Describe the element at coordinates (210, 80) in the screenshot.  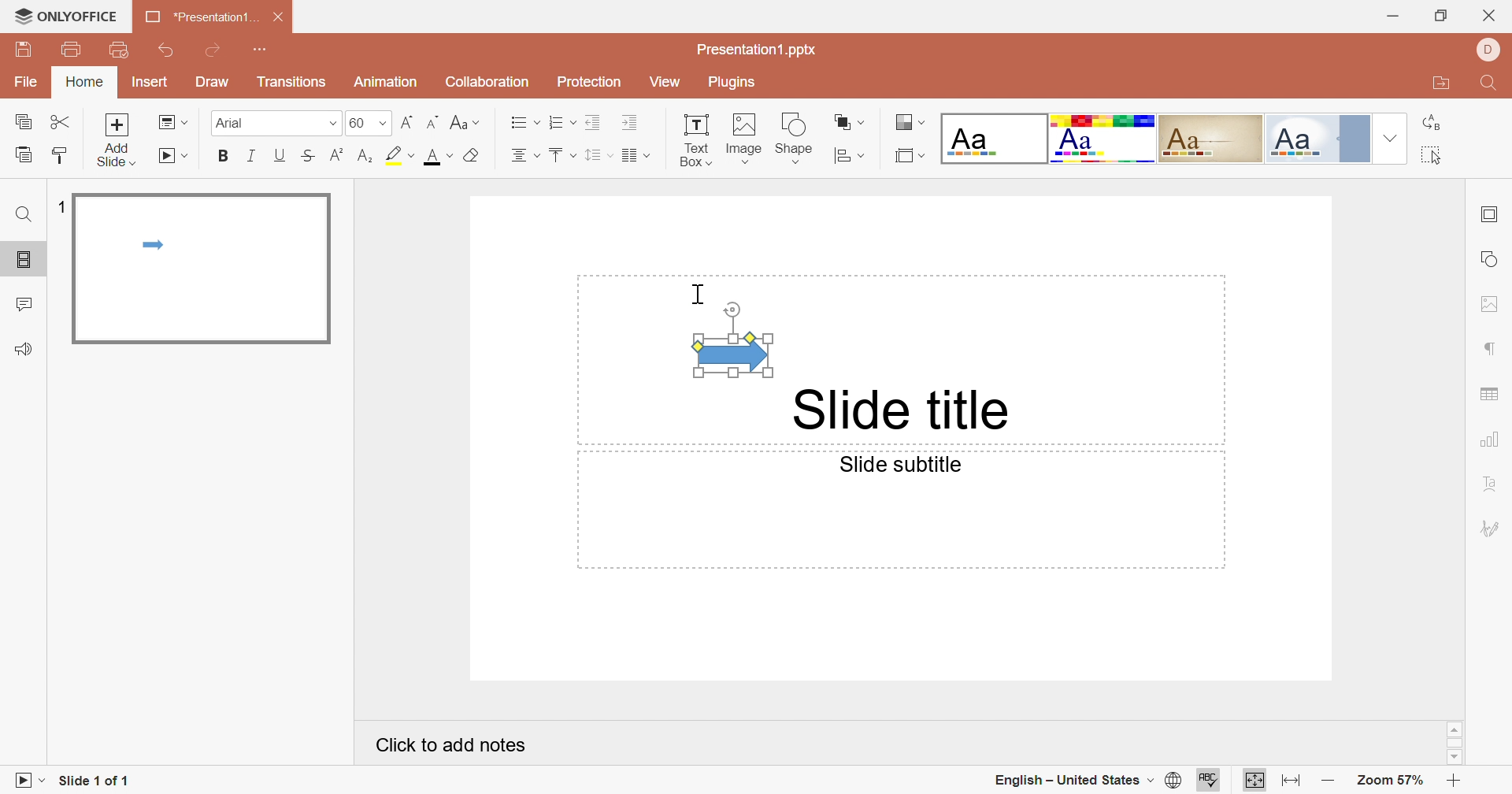
I see `Draw` at that location.